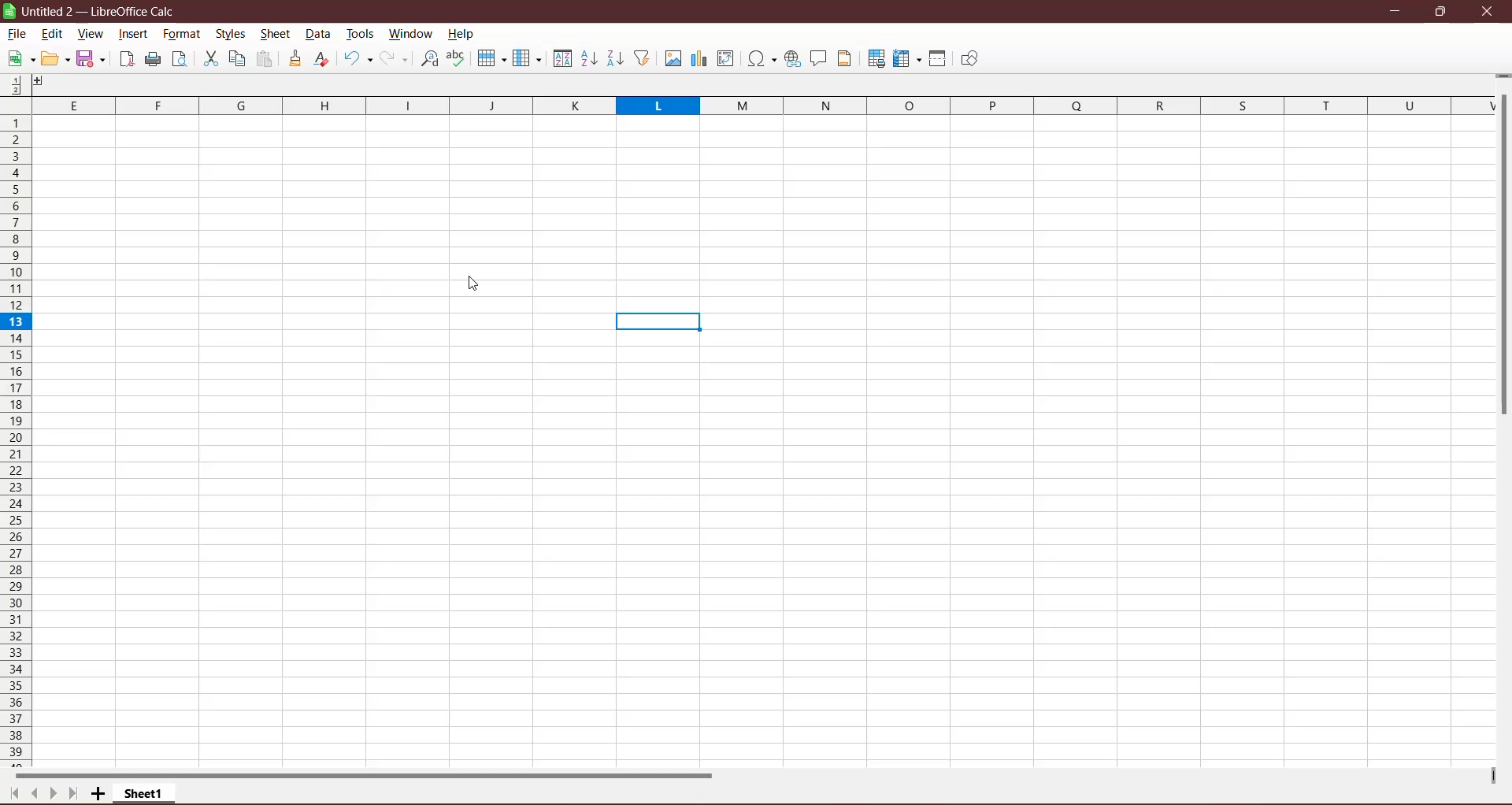 This screenshot has width=1512, height=805. What do you see at coordinates (181, 34) in the screenshot?
I see `Format` at bounding box center [181, 34].